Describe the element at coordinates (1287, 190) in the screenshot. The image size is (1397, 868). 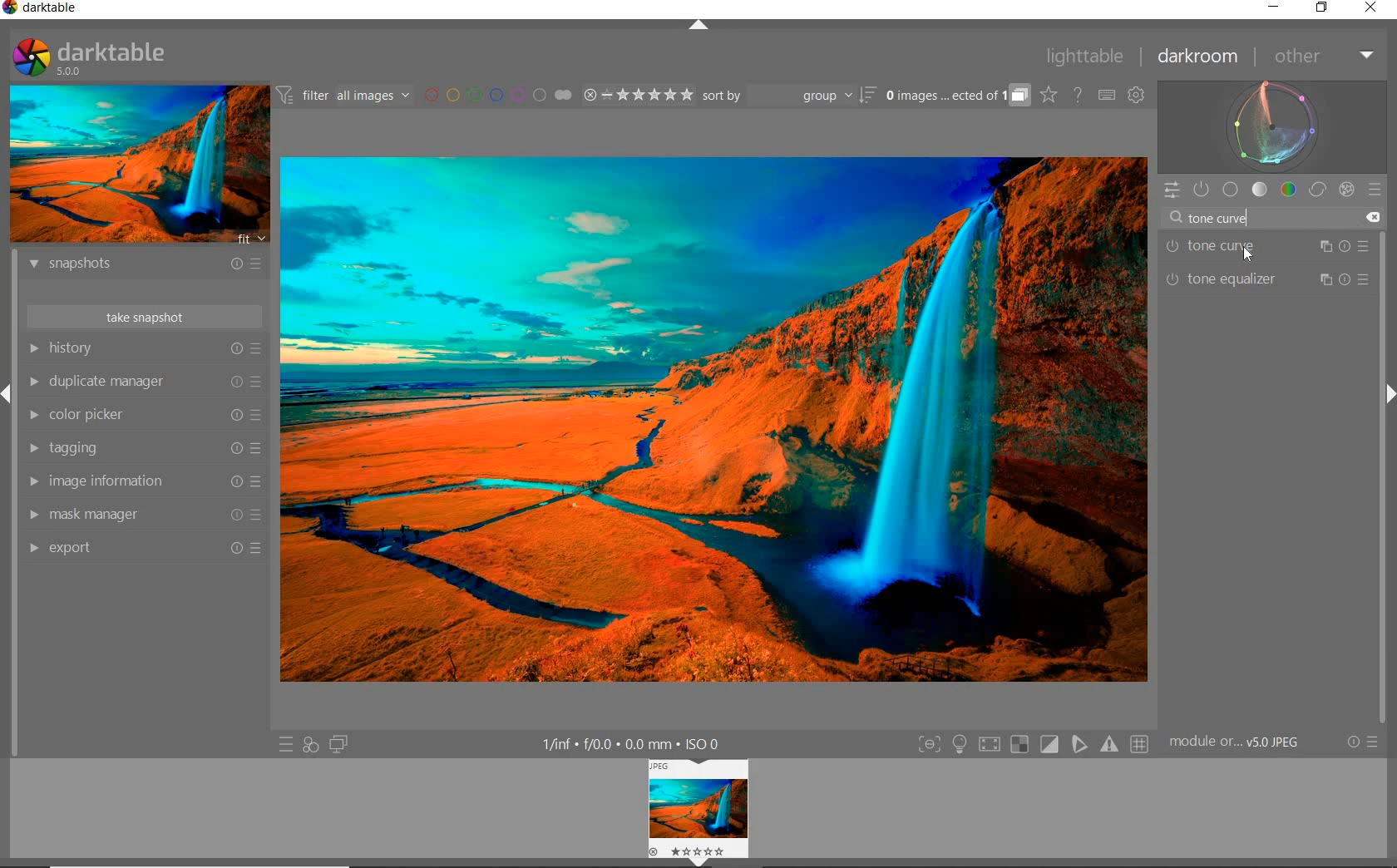
I see `color` at that location.